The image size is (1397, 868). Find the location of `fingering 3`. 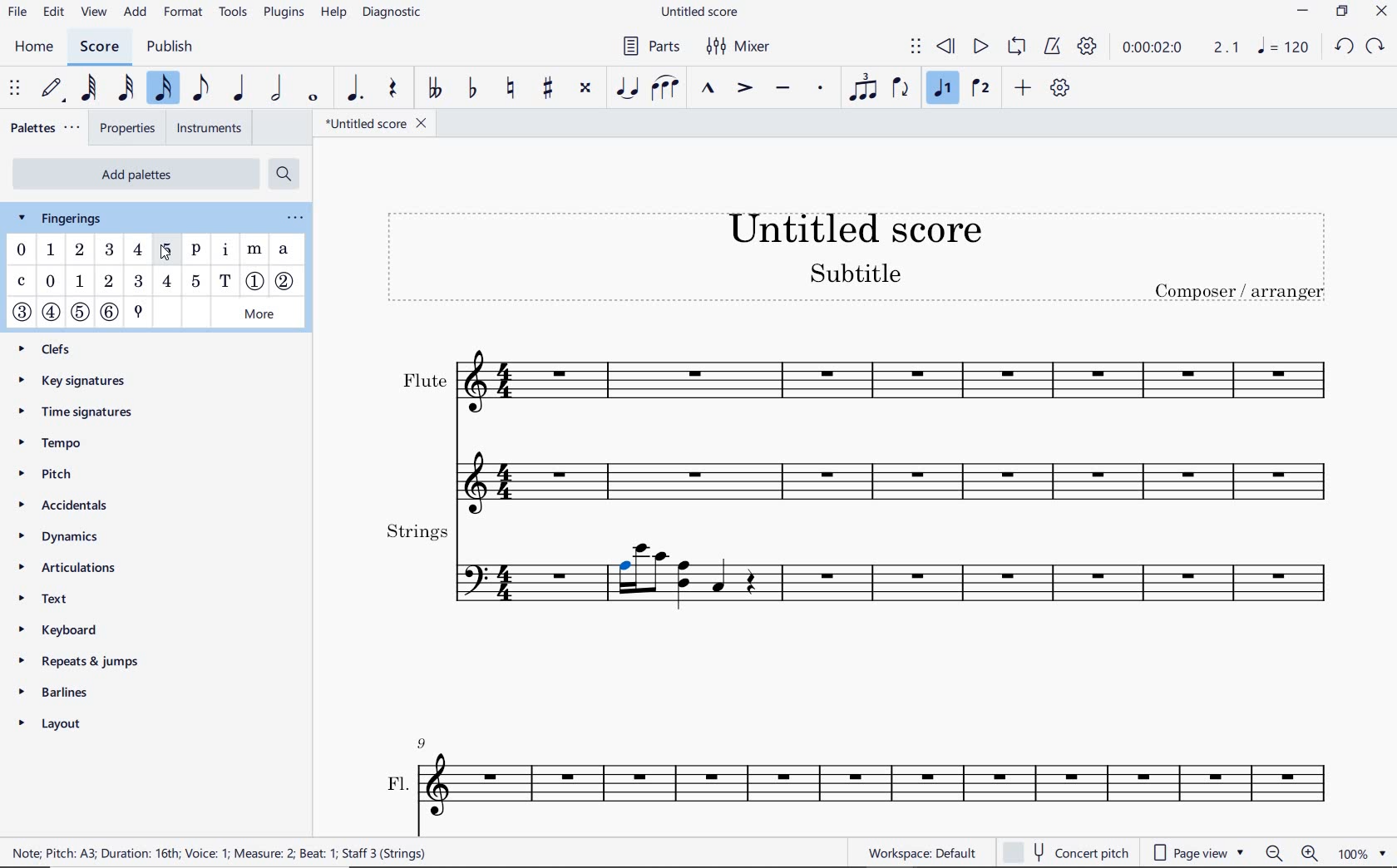

fingering 3 is located at coordinates (111, 250).